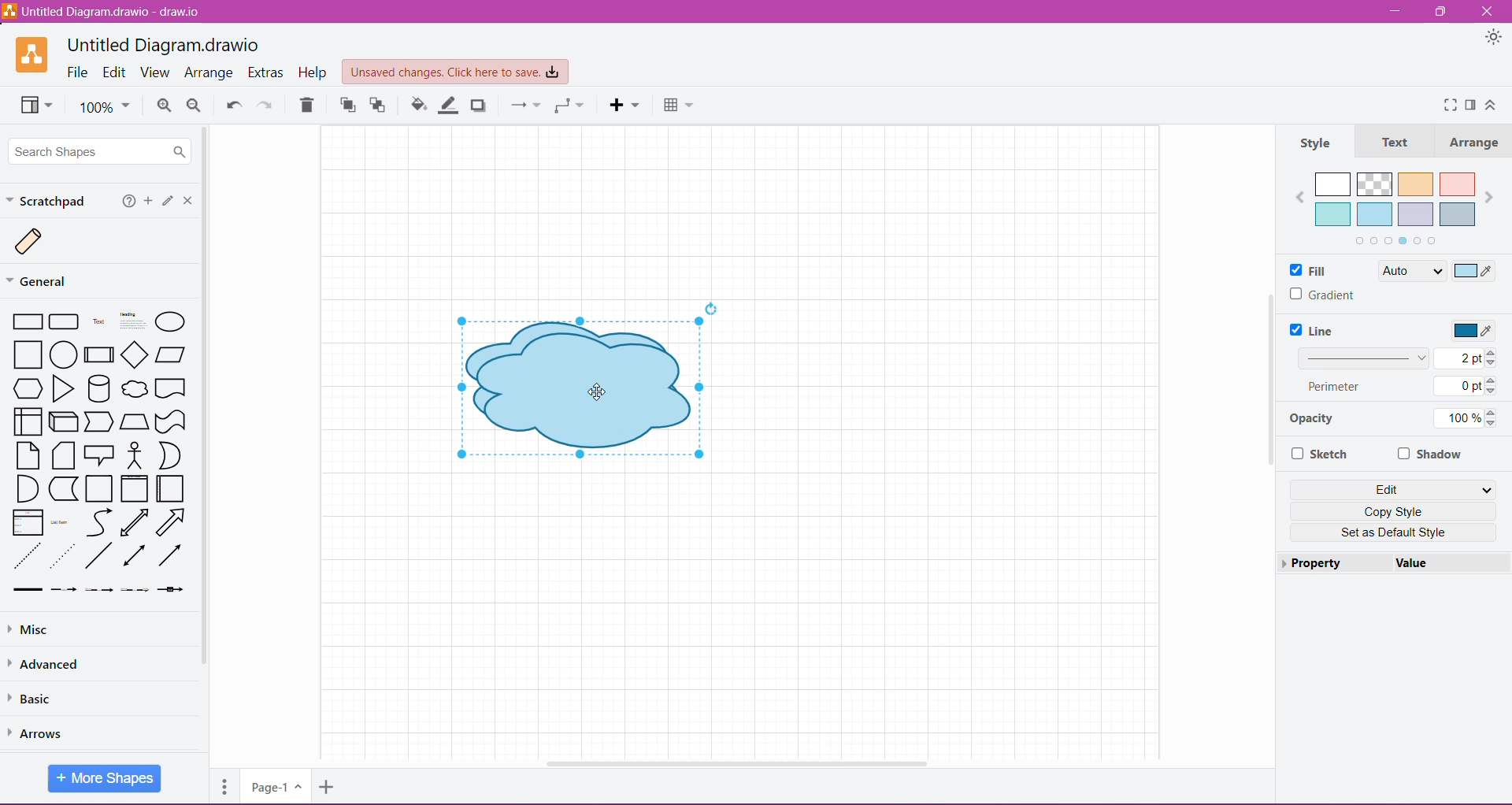 The width and height of the screenshot is (1512, 805). I want to click on Duplicated shapes on canvas, so click(577, 389).